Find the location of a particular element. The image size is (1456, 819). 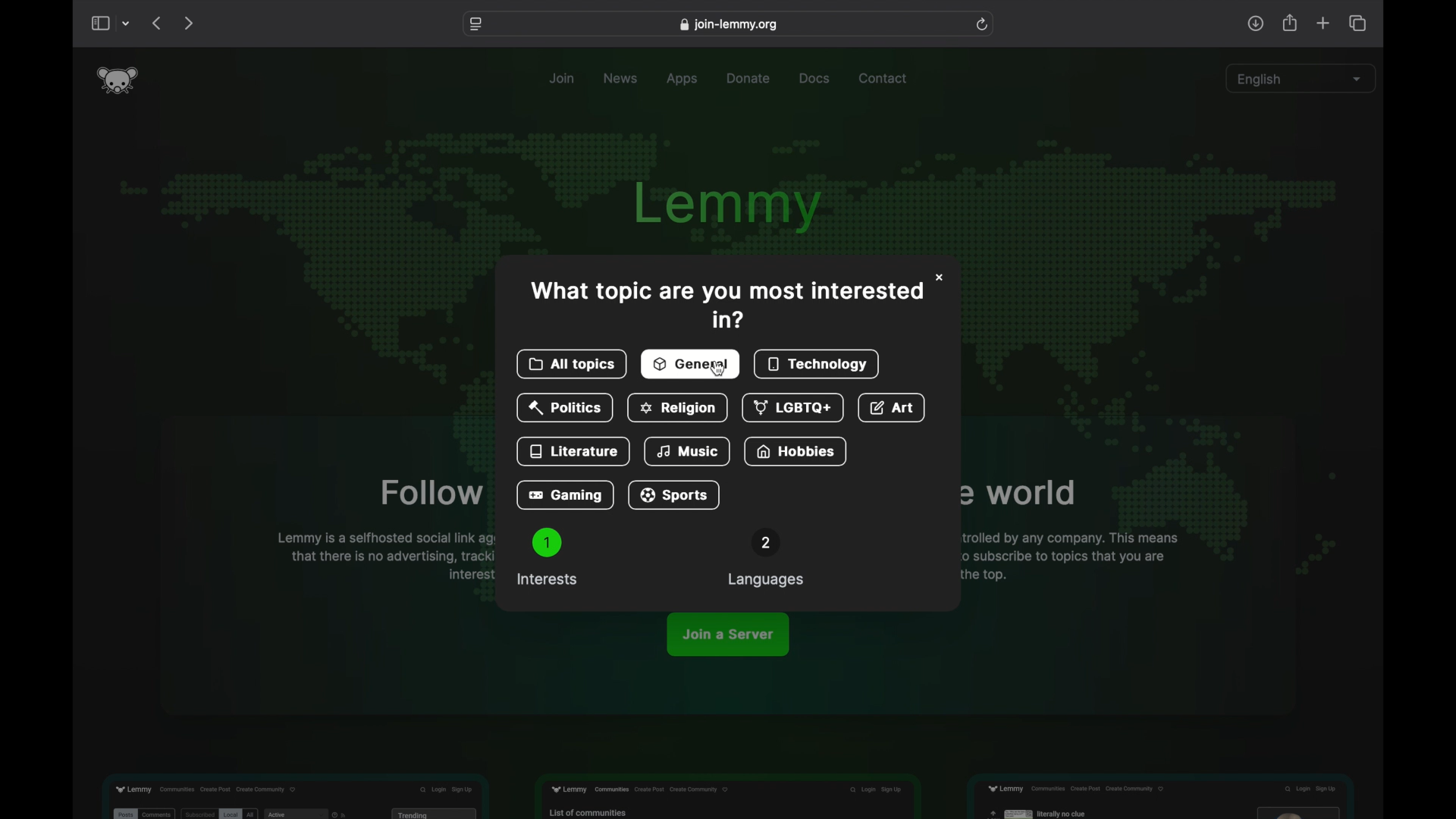

join is located at coordinates (563, 79).